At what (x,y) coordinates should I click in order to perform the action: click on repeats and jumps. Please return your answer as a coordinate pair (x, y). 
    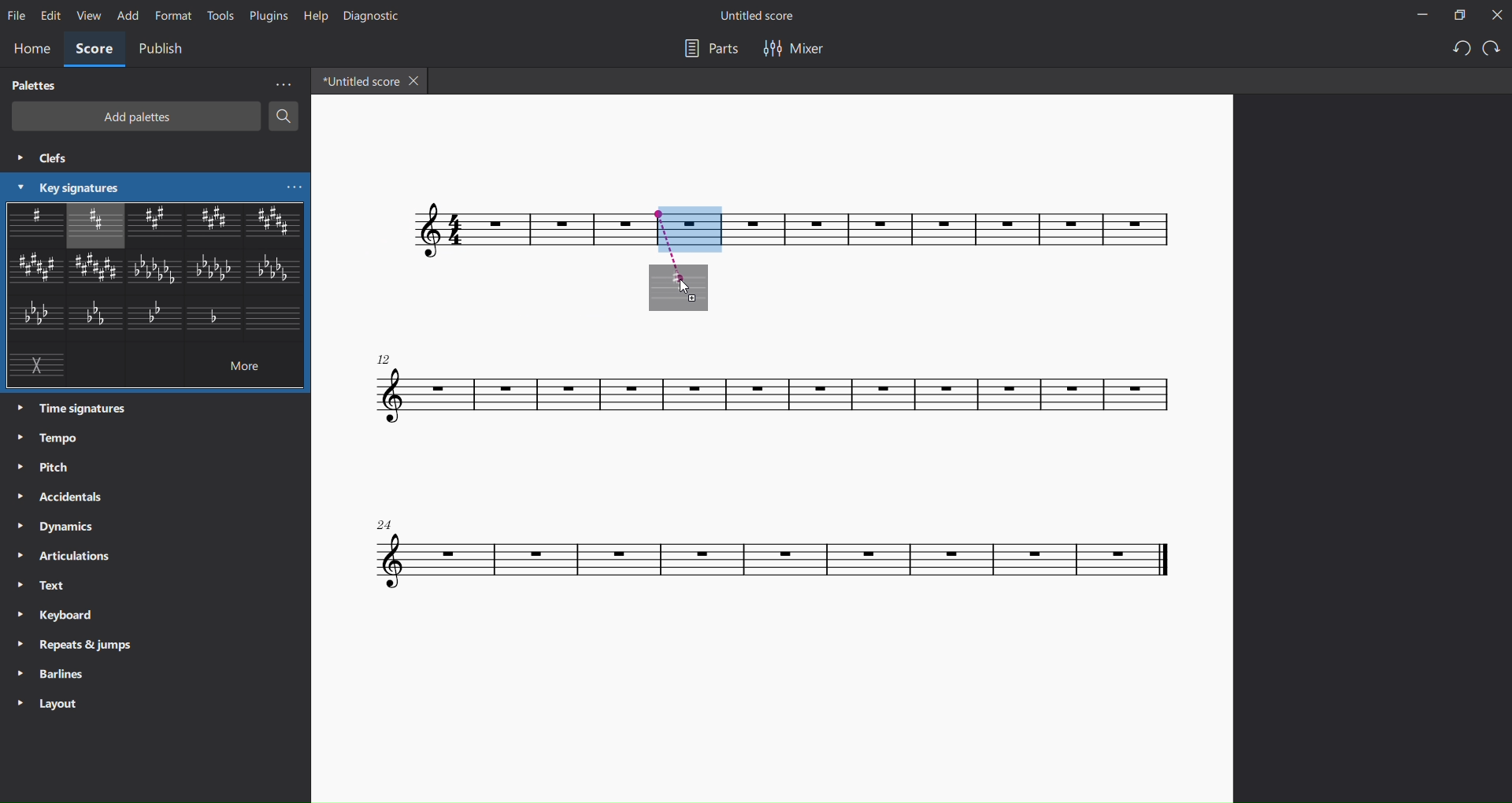
    Looking at the image, I should click on (76, 644).